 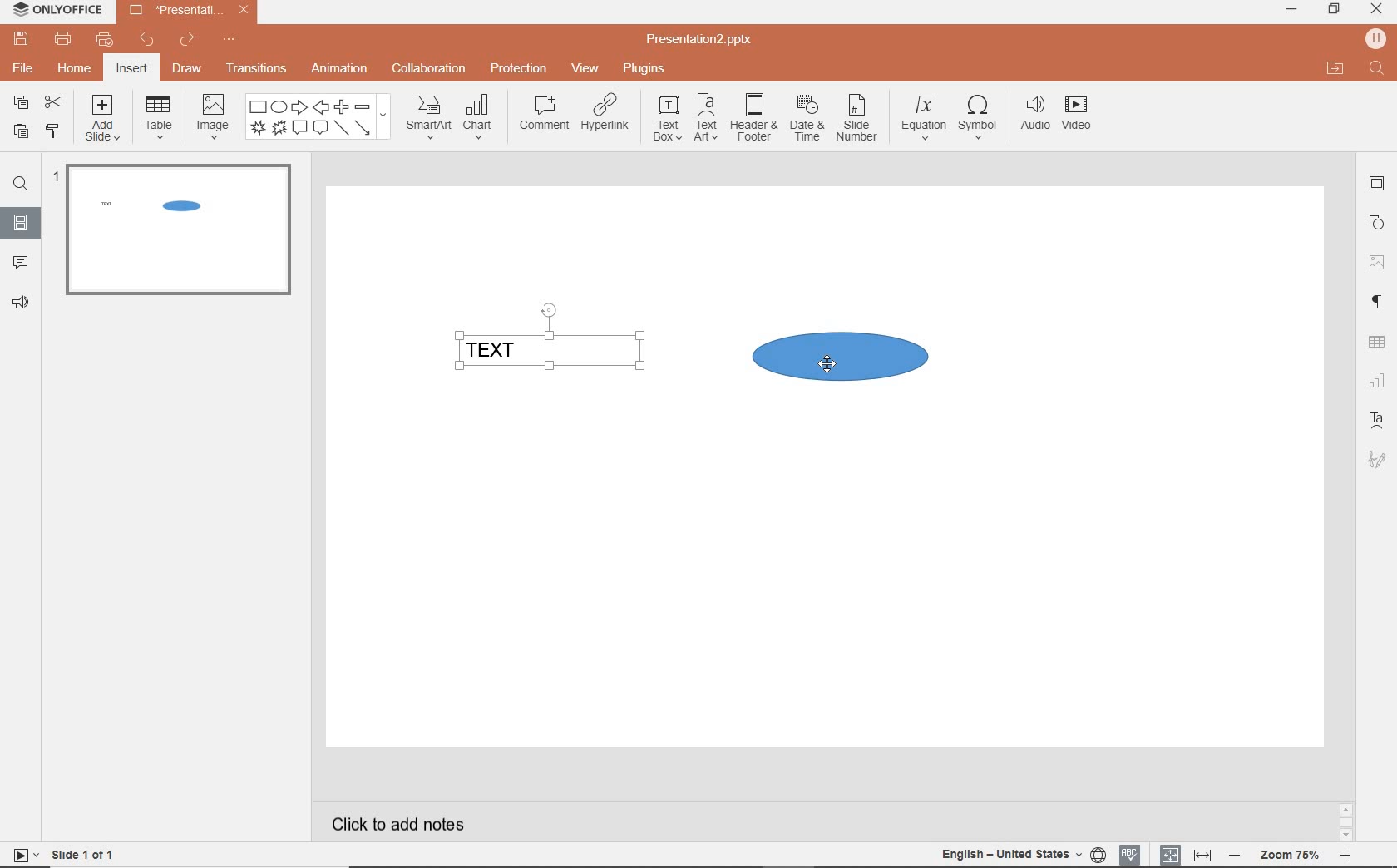 I want to click on paste, so click(x=21, y=133).